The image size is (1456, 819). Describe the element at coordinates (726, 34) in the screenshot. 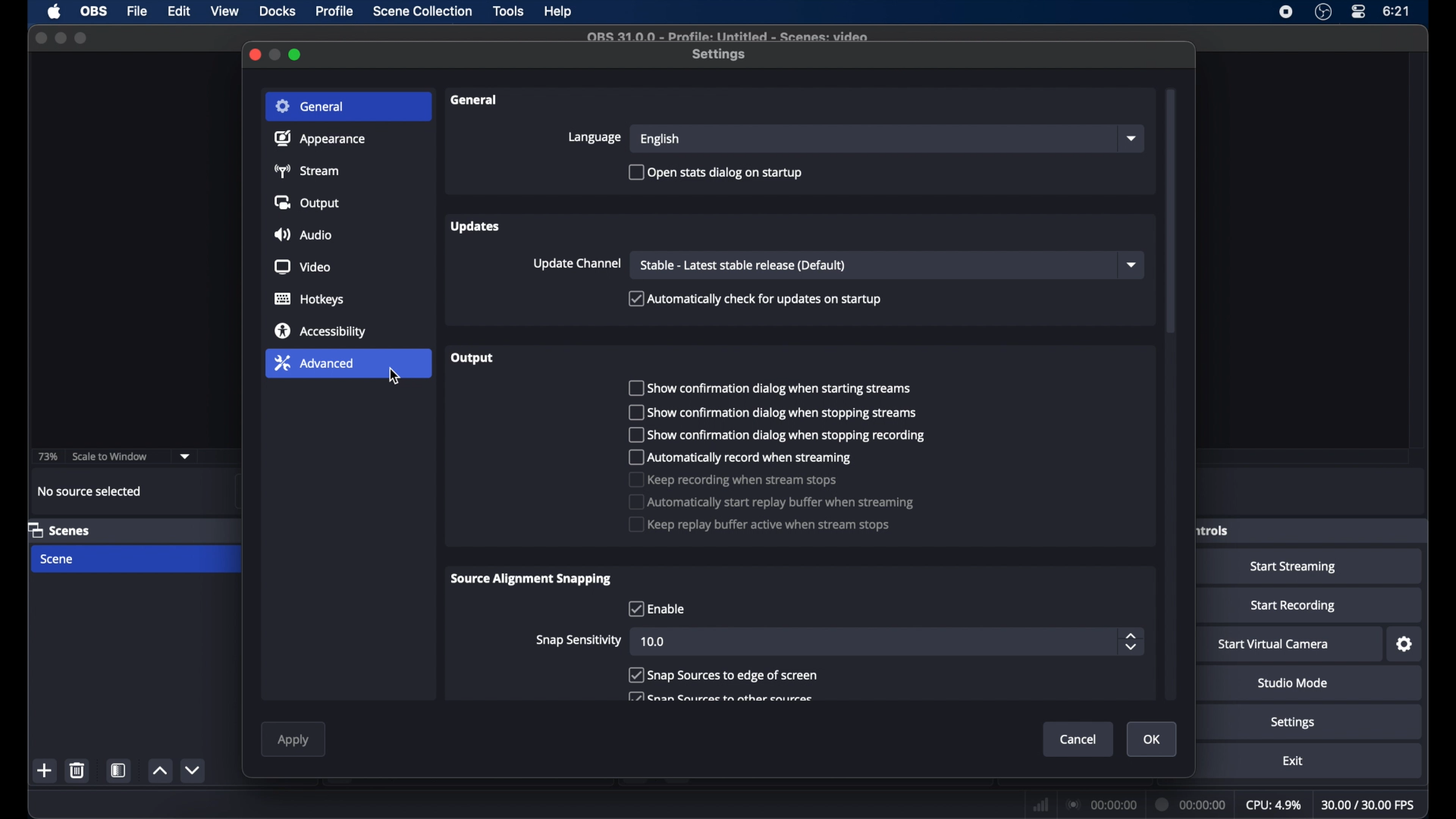

I see `Qe 21 0 0 - Prafile: lintitled = Cranac: iden` at that location.